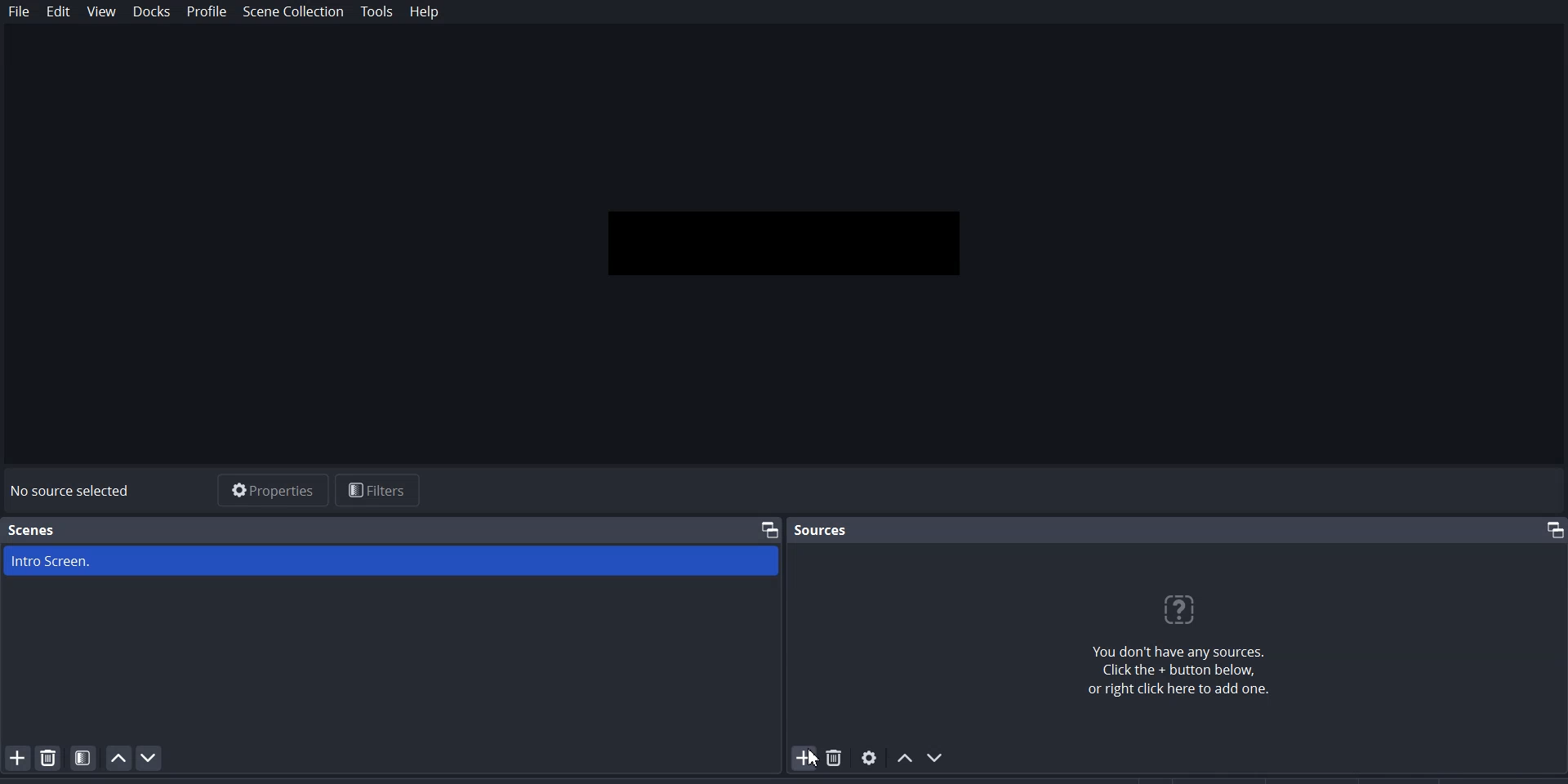  What do you see at coordinates (269, 488) in the screenshot?
I see `Properties` at bounding box center [269, 488].